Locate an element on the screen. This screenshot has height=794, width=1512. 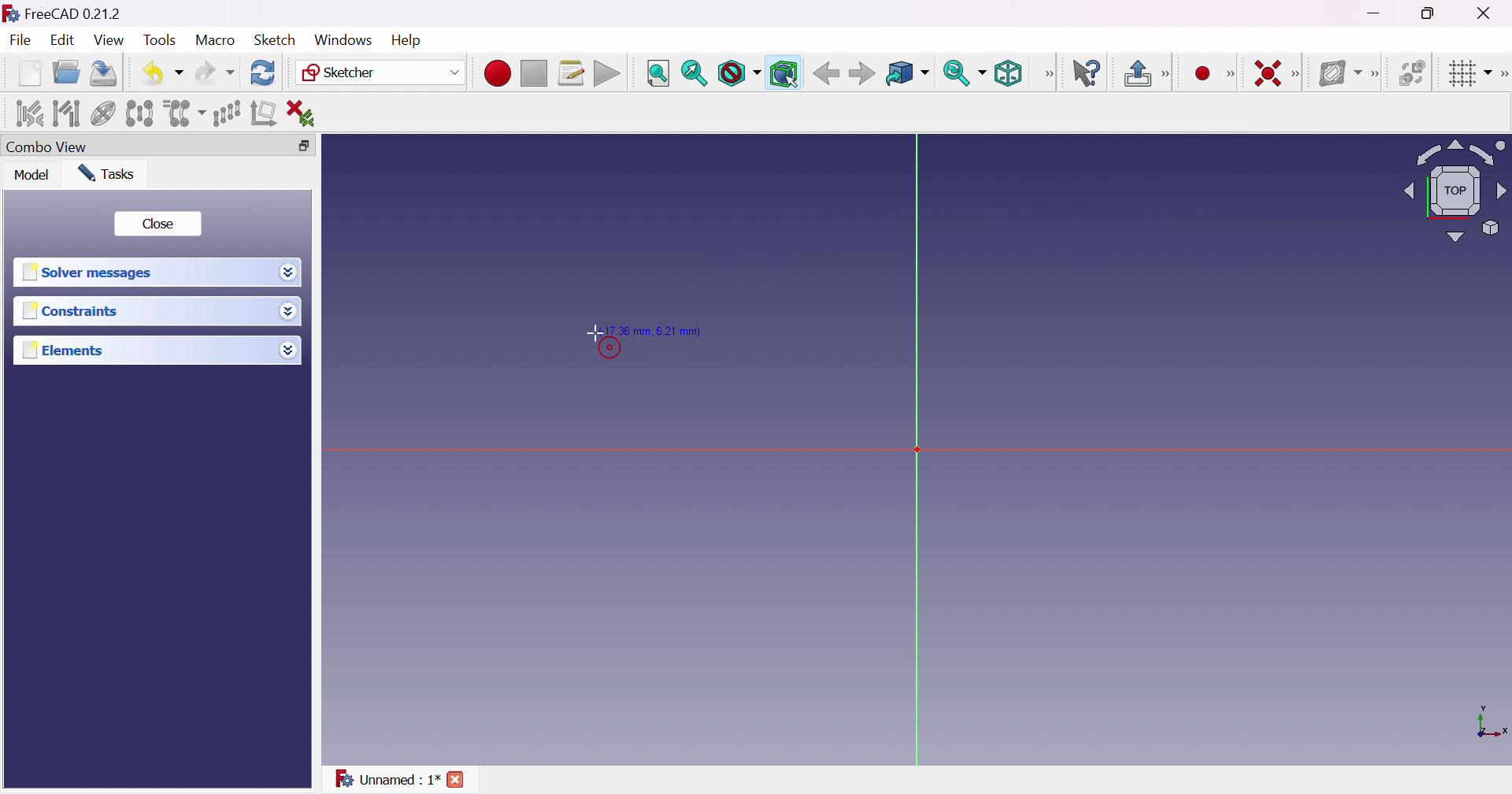
Elements is located at coordinates (65, 350).